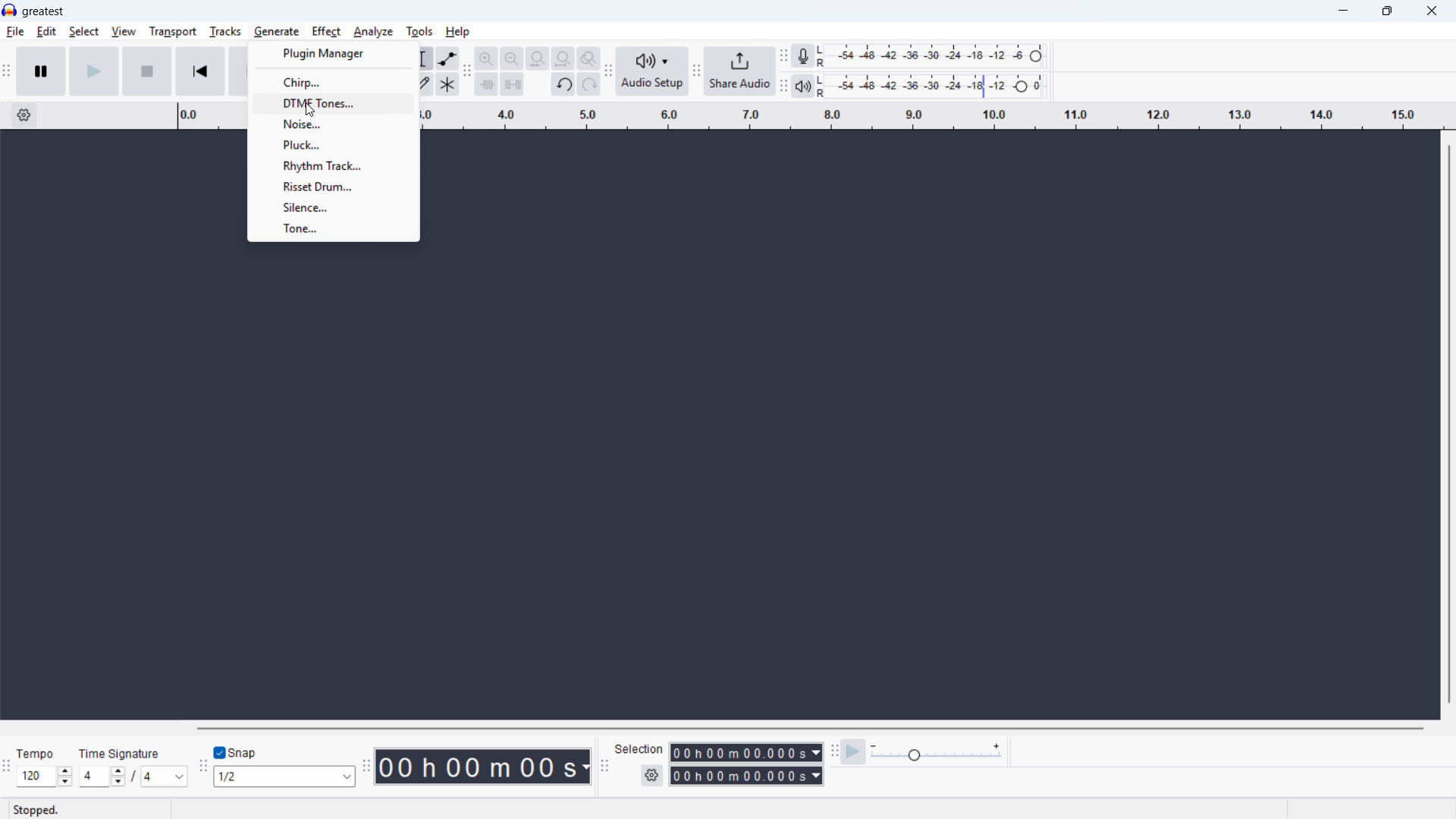  What do you see at coordinates (783, 87) in the screenshot?
I see `playback meter toolbar` at bounding box center [783, 87].